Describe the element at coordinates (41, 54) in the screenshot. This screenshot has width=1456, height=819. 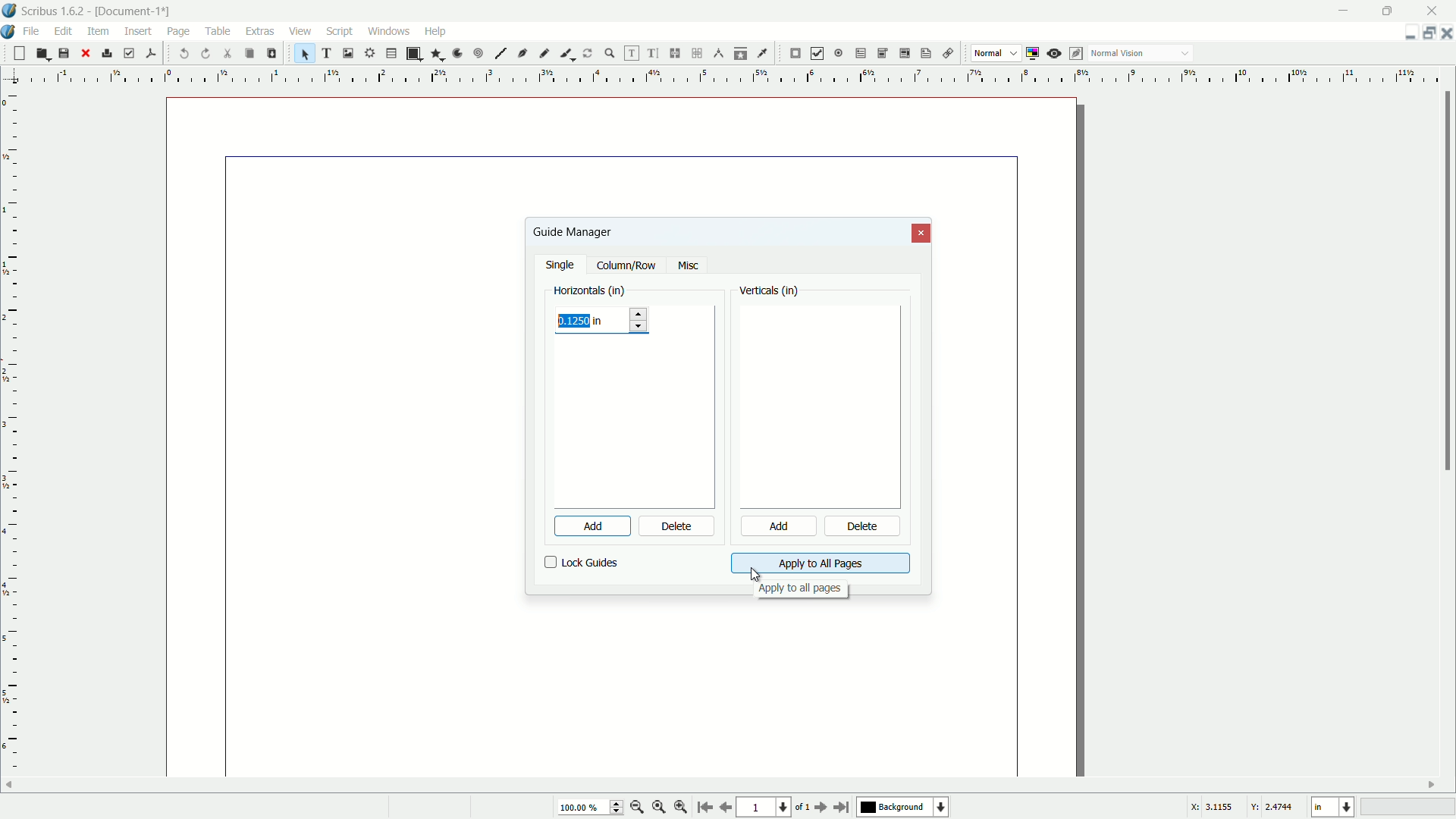
I see `open` at that location.